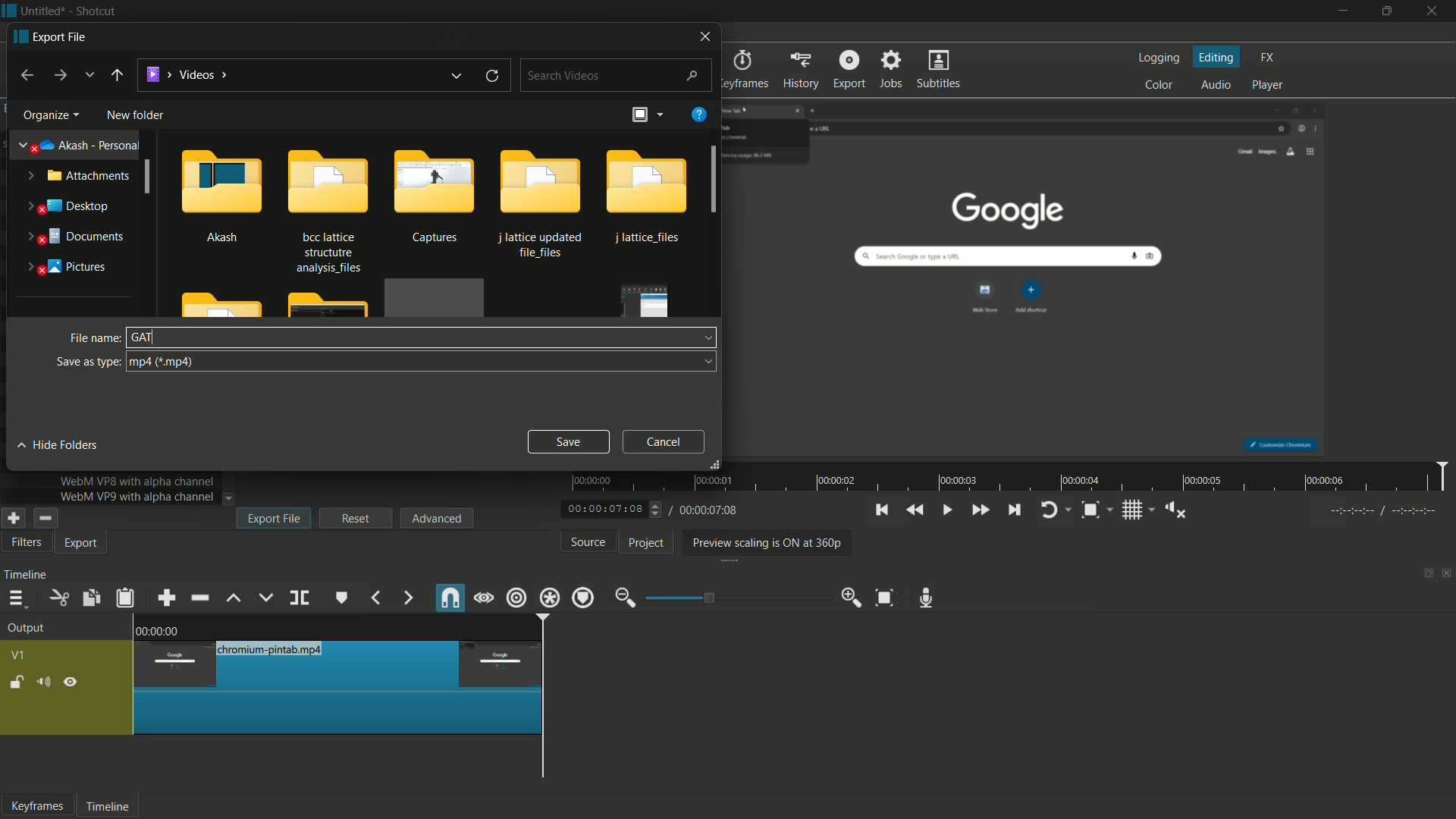 The width and height of the screenshot is (1456, 819). I want to click on quickly play forward, so click(980, 510).